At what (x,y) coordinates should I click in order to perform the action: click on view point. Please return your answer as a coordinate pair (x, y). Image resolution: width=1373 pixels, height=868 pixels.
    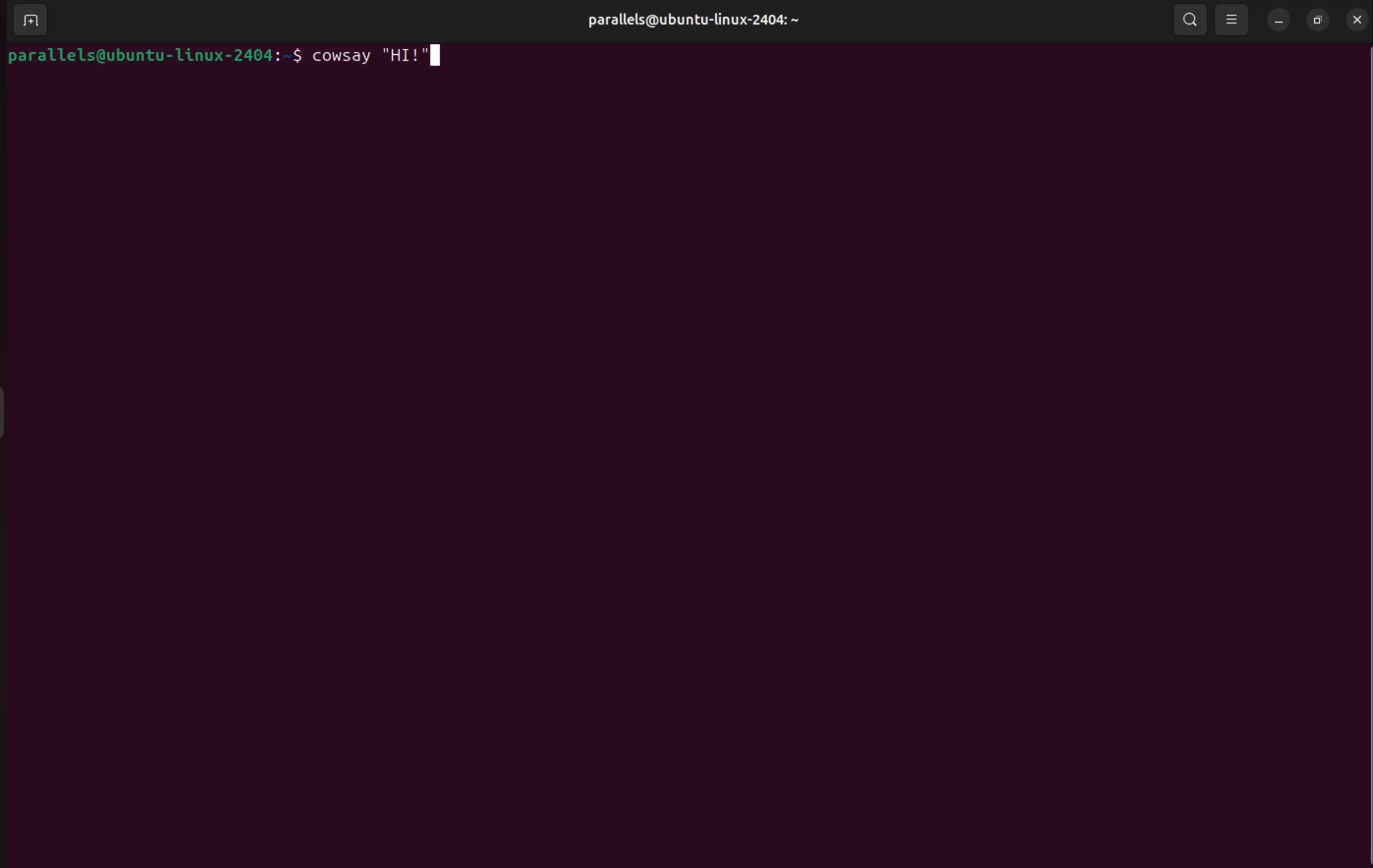
    Looking at the image, I should click on (1229, 17).